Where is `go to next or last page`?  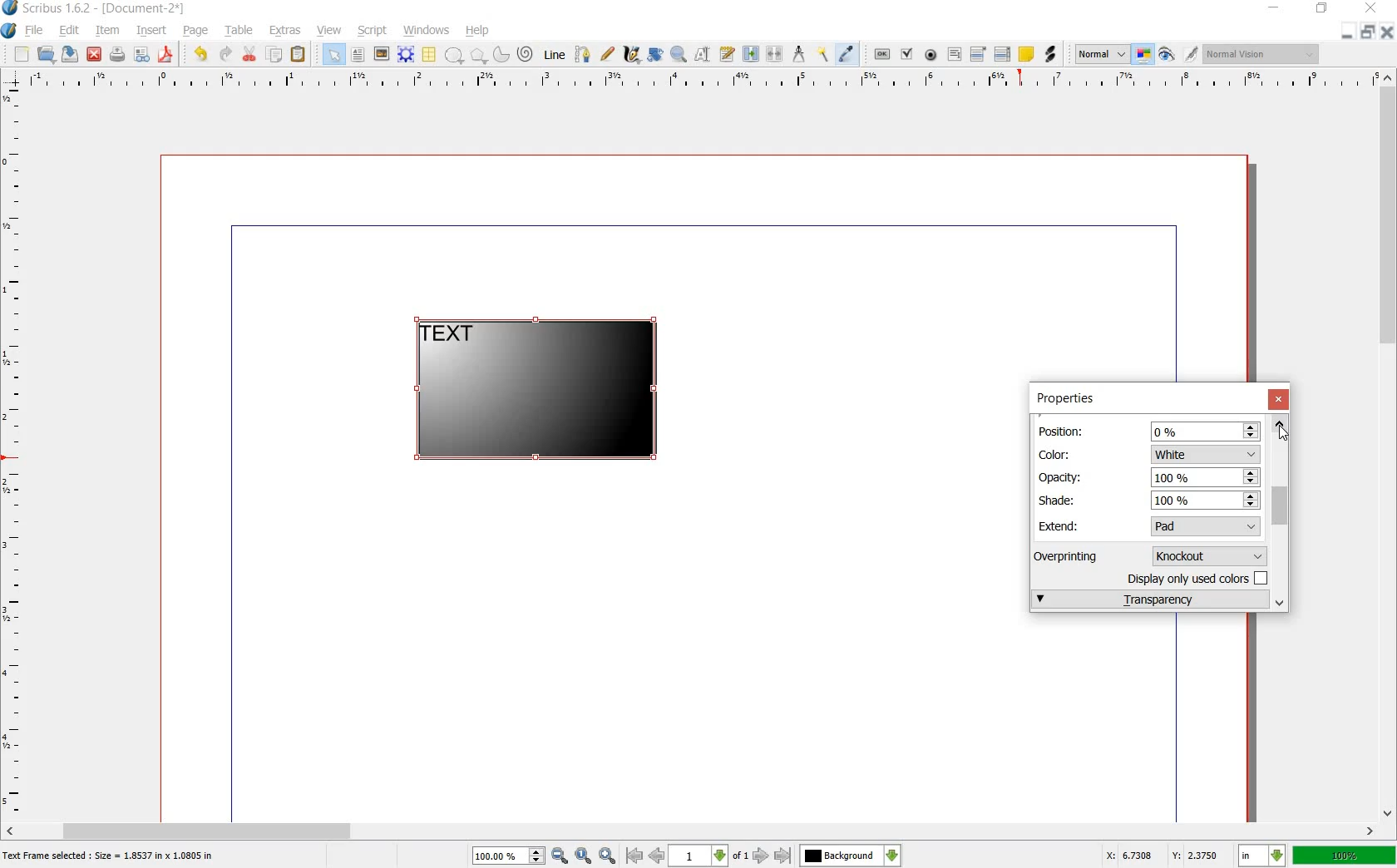 go to next or last page is located at coordinates (771, 856).